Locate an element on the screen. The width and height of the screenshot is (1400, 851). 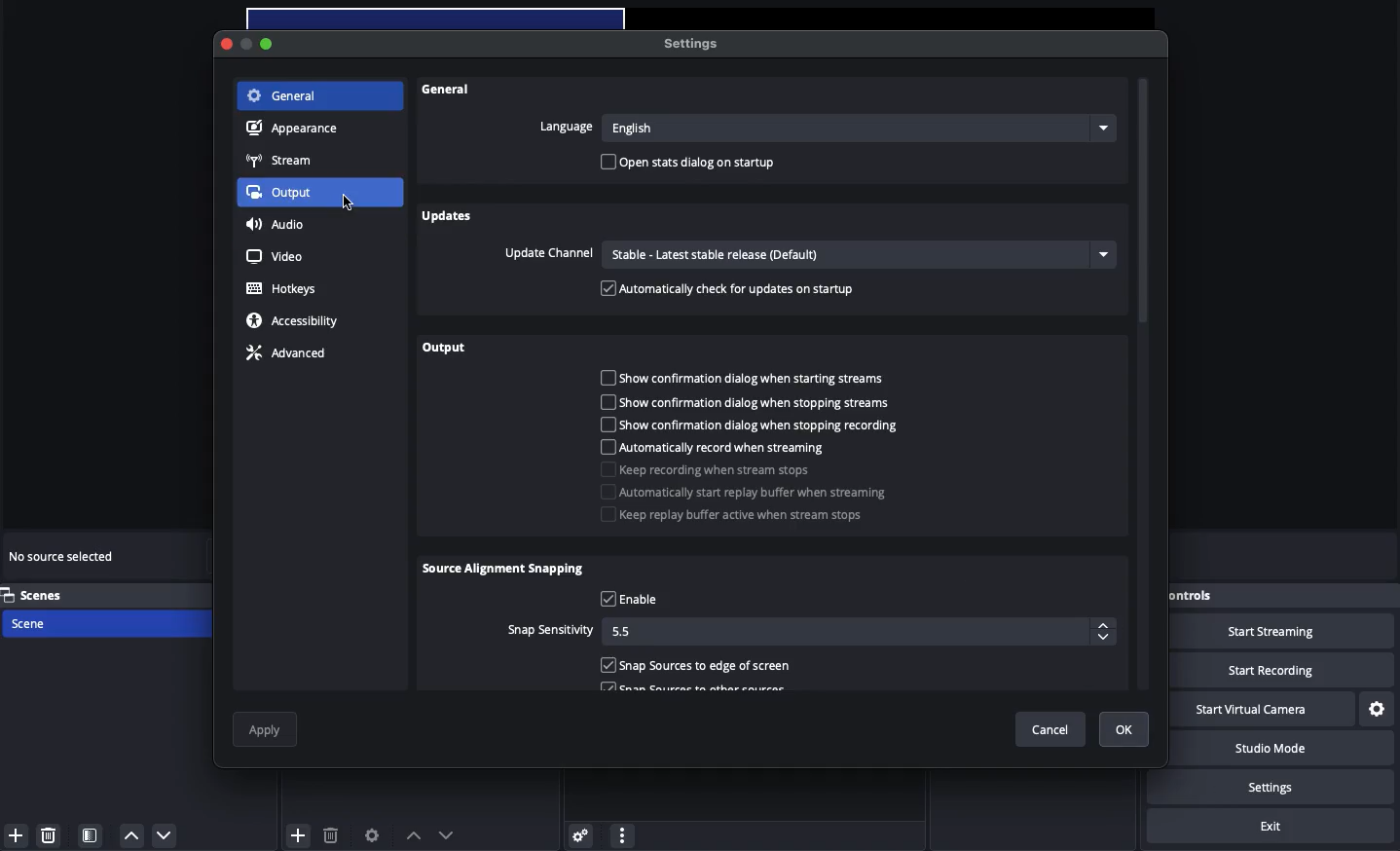
Cancel is located at coordinates (1049, 727).